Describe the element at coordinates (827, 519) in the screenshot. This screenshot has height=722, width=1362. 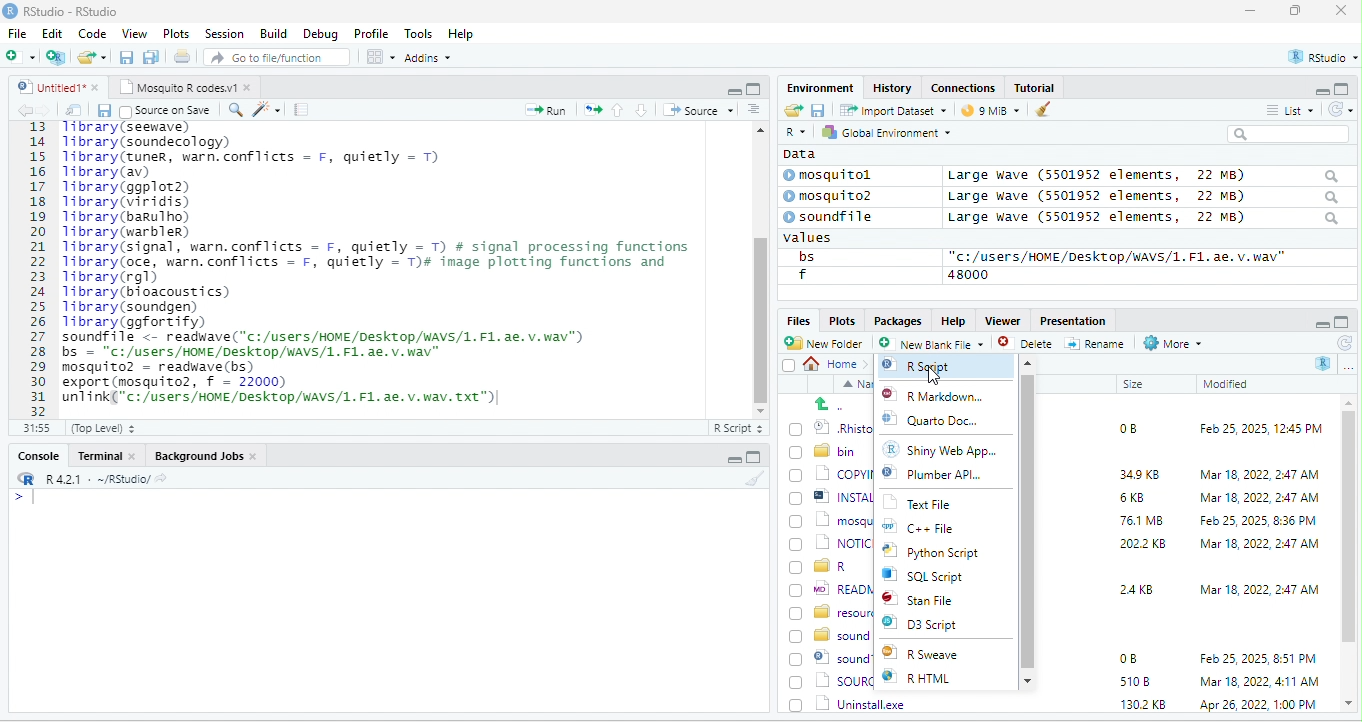
I see `1 mosquitol.txt` at that location.